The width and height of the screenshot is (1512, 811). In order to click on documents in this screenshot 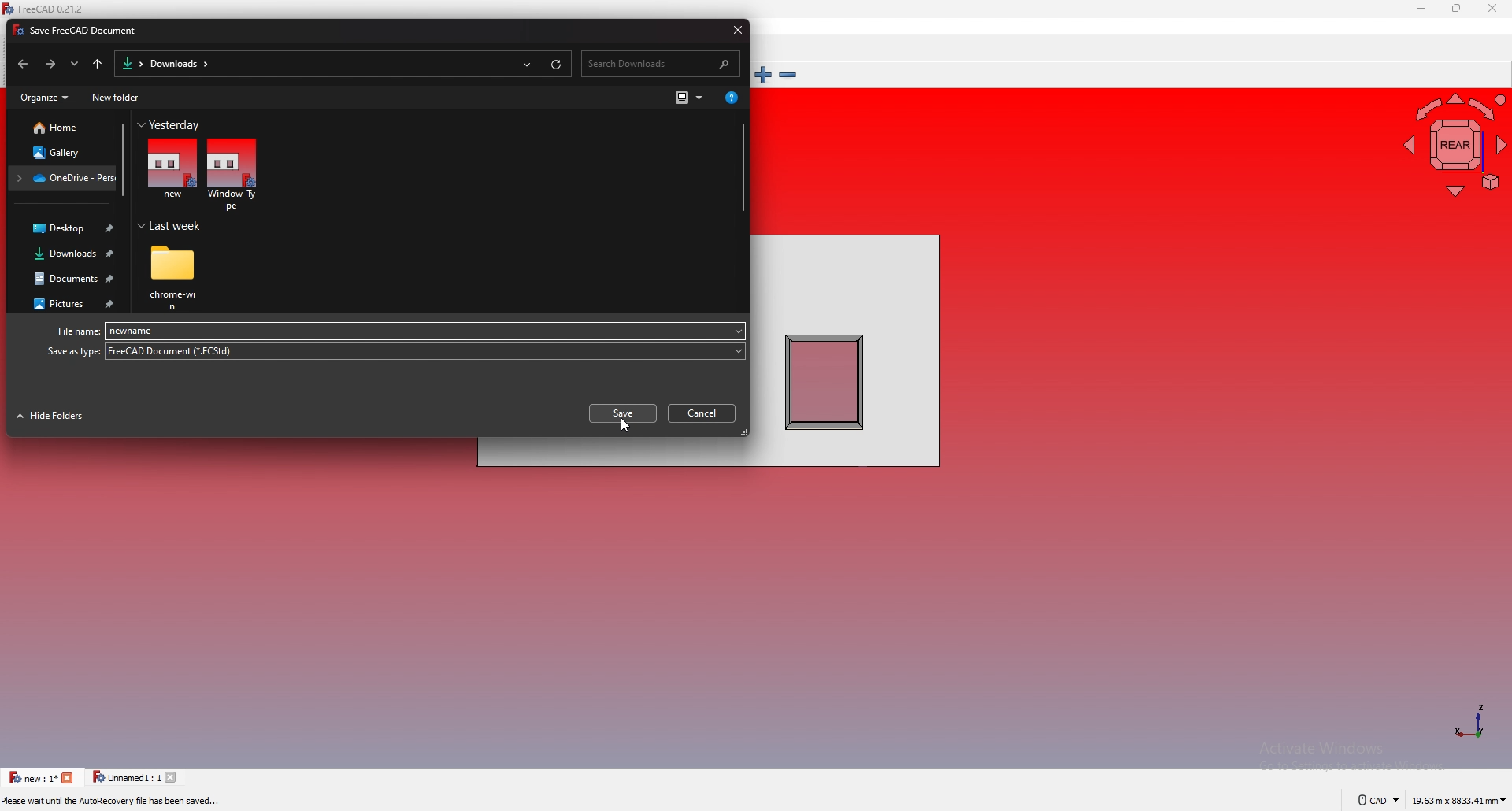, I will do `click(65, 279)`.